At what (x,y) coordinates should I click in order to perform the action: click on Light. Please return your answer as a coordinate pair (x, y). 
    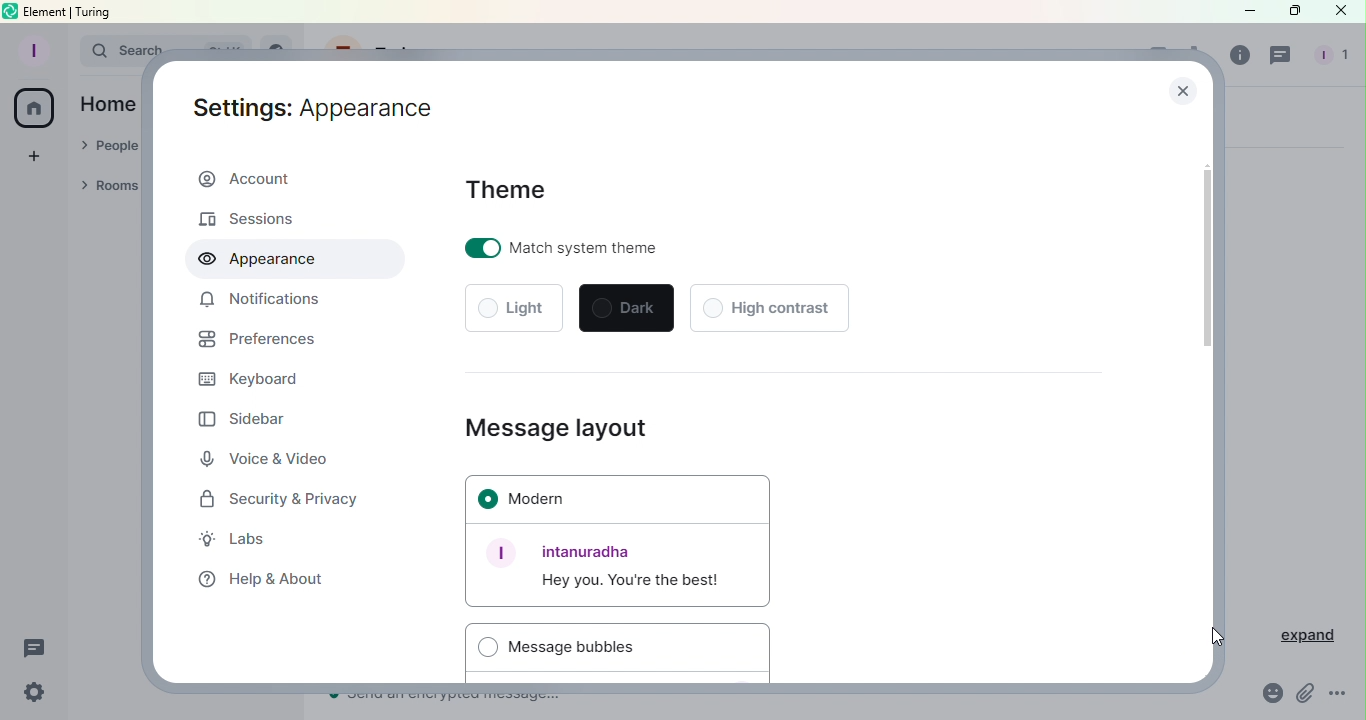
    Looking at the image, I should click on (515, 310).